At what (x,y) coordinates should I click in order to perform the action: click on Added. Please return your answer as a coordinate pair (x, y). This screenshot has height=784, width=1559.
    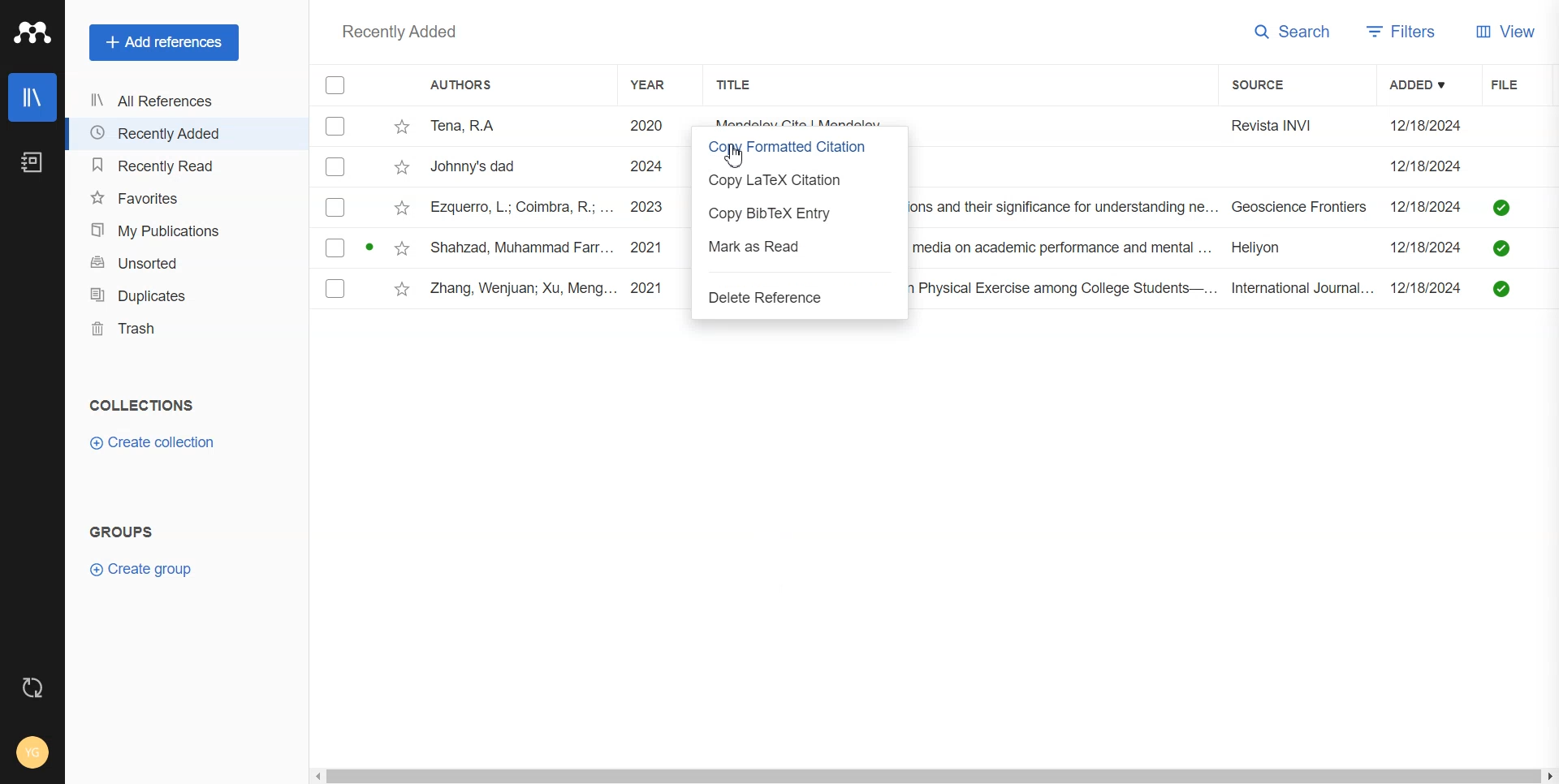
    Looking at the image, I should click on (1427, 84).